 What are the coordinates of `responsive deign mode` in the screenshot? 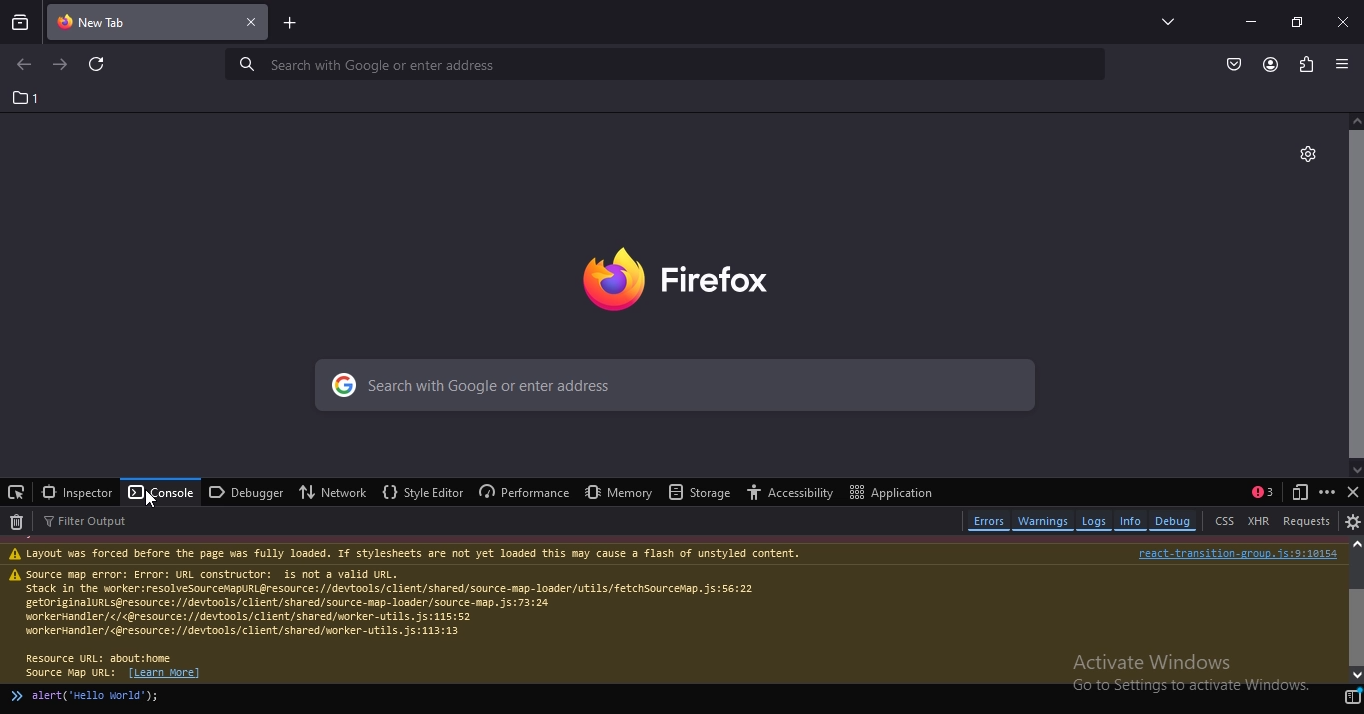 It's located at (1301, 492).